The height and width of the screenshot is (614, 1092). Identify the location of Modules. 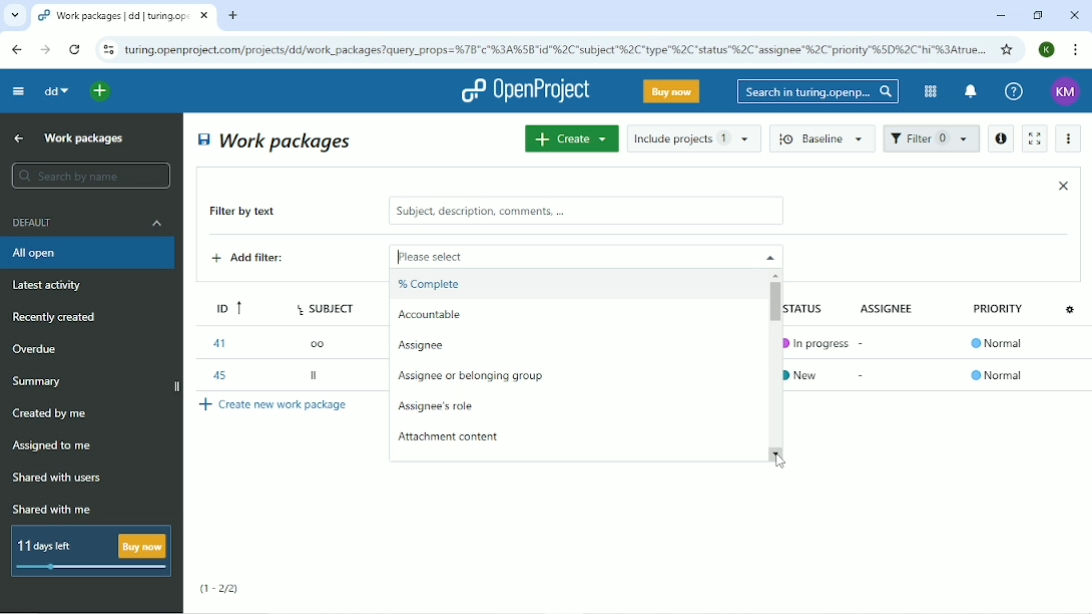
(928, 91).